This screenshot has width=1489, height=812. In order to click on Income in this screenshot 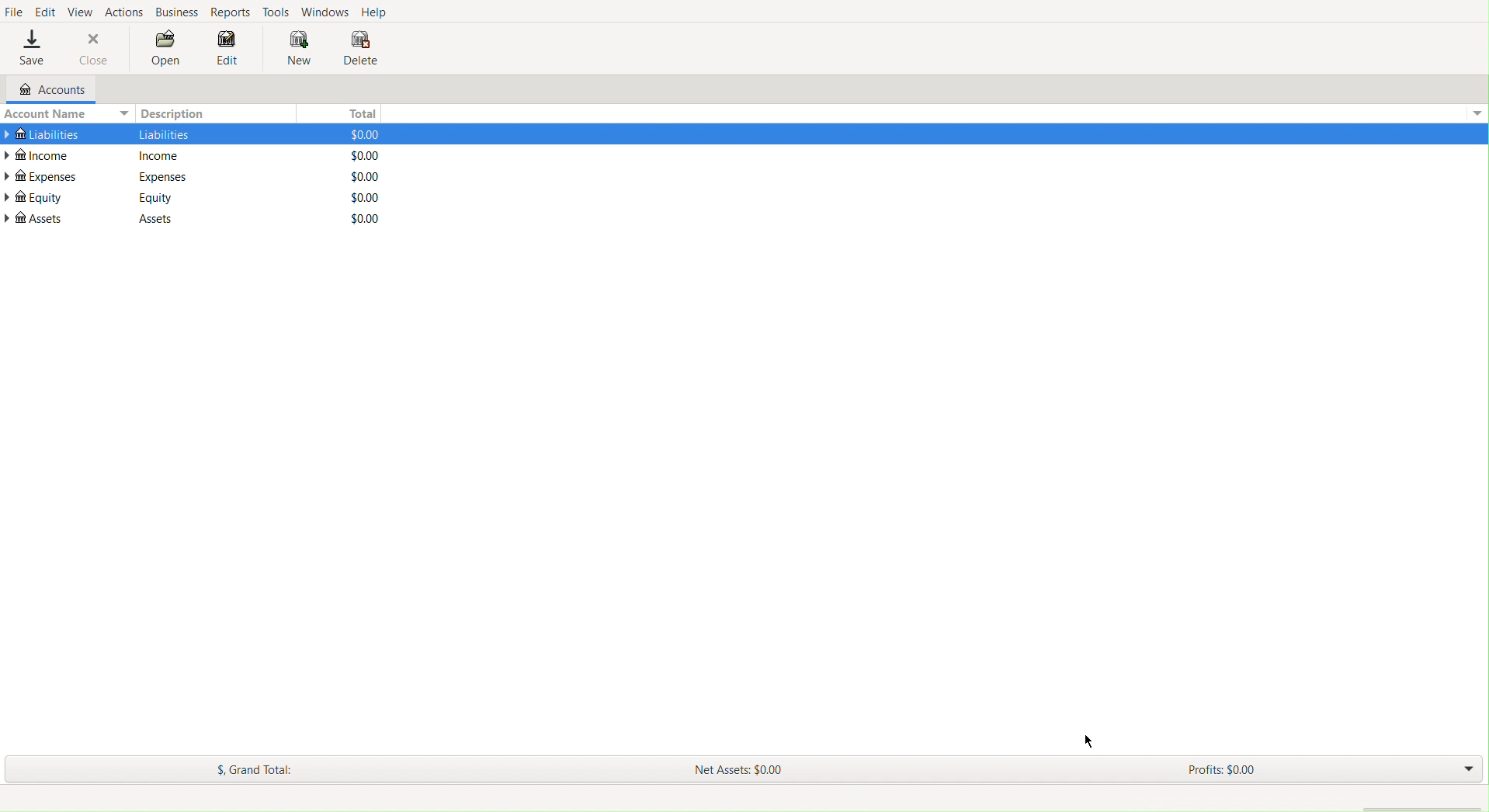, I will do `click(40, 154)`.